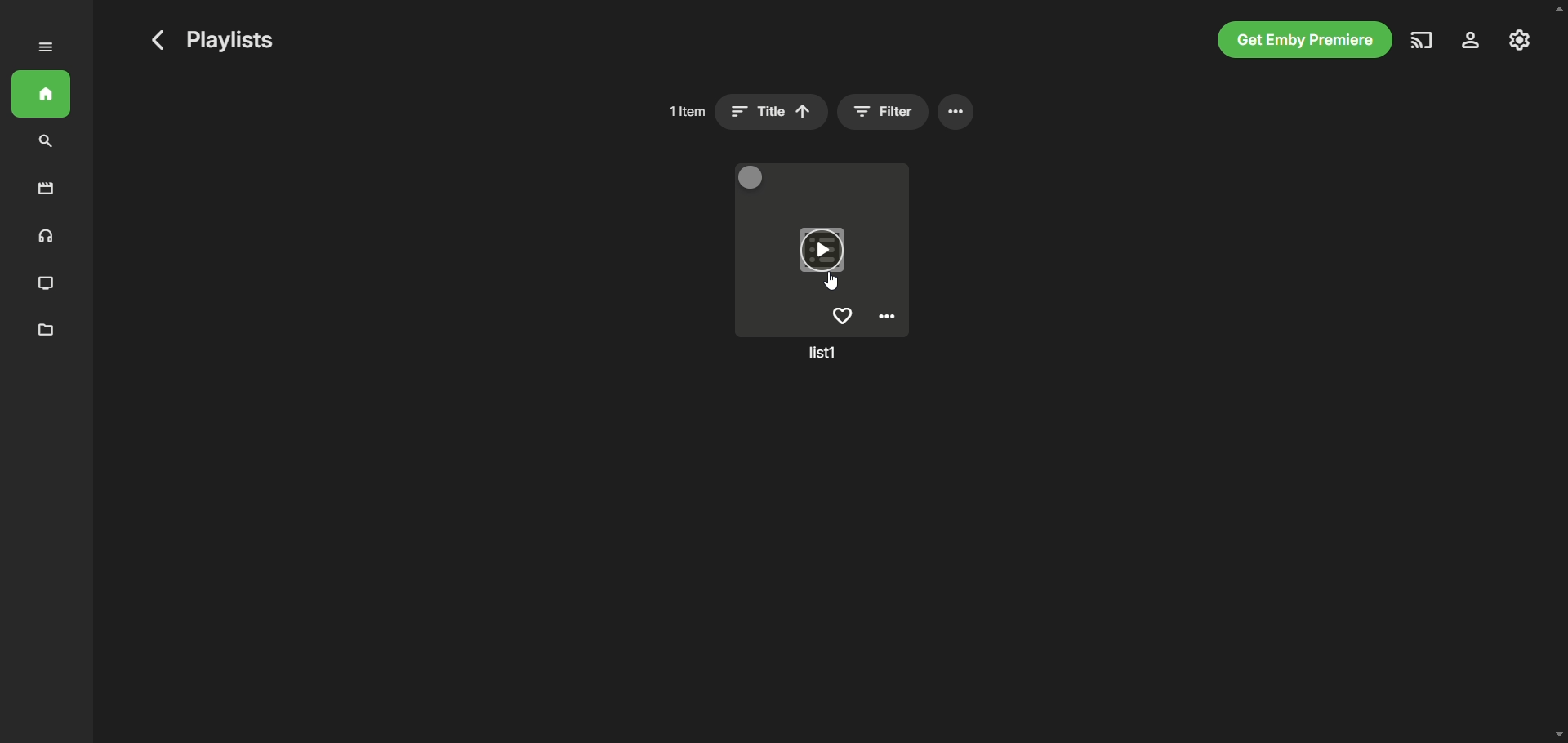 Image resolution: width=1568 pixels, height=743 pixels. Describe the element at coordinates (842, 315) in the screenshot. I see `Add to favorite` at that location.